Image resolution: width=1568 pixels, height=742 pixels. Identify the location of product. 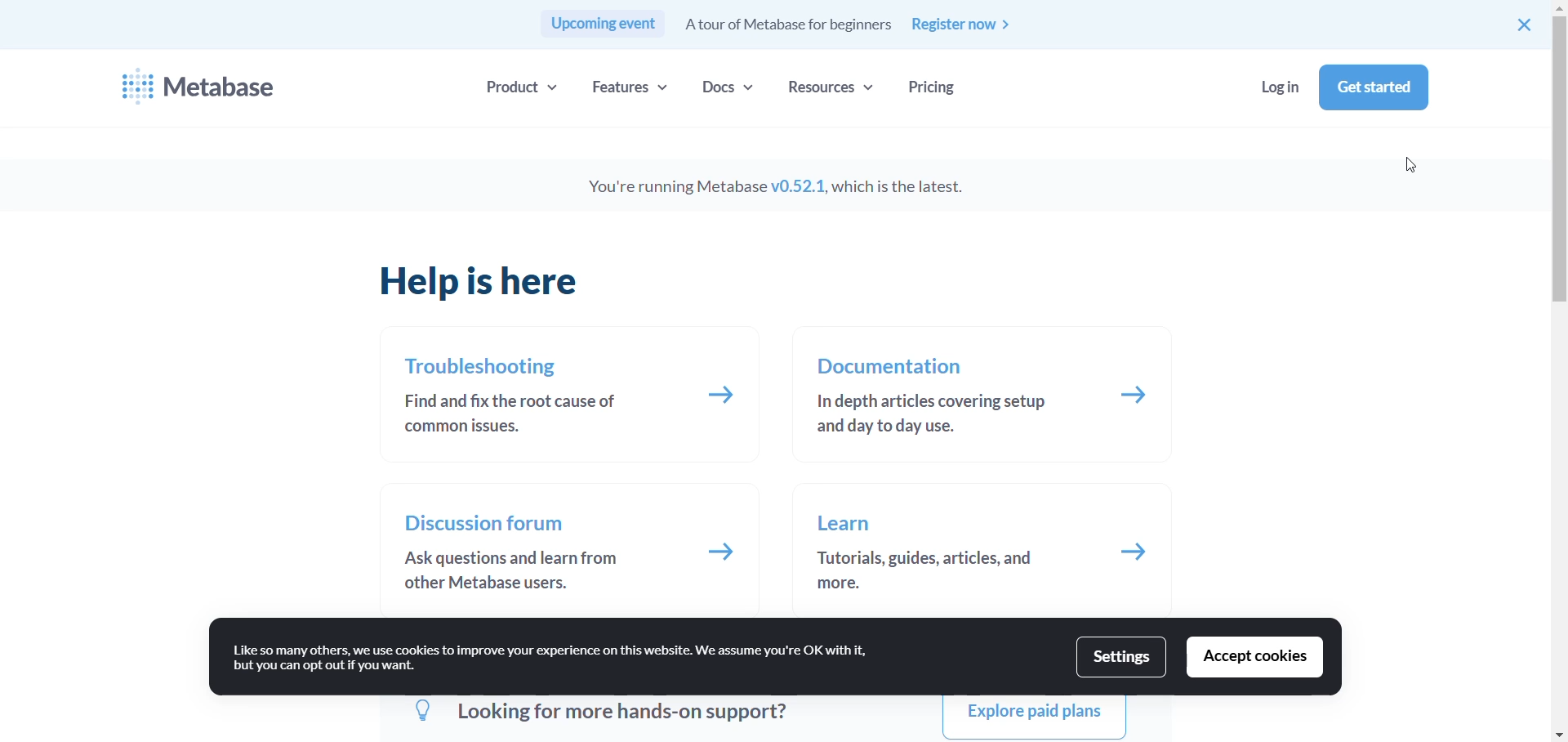
(517, 86).